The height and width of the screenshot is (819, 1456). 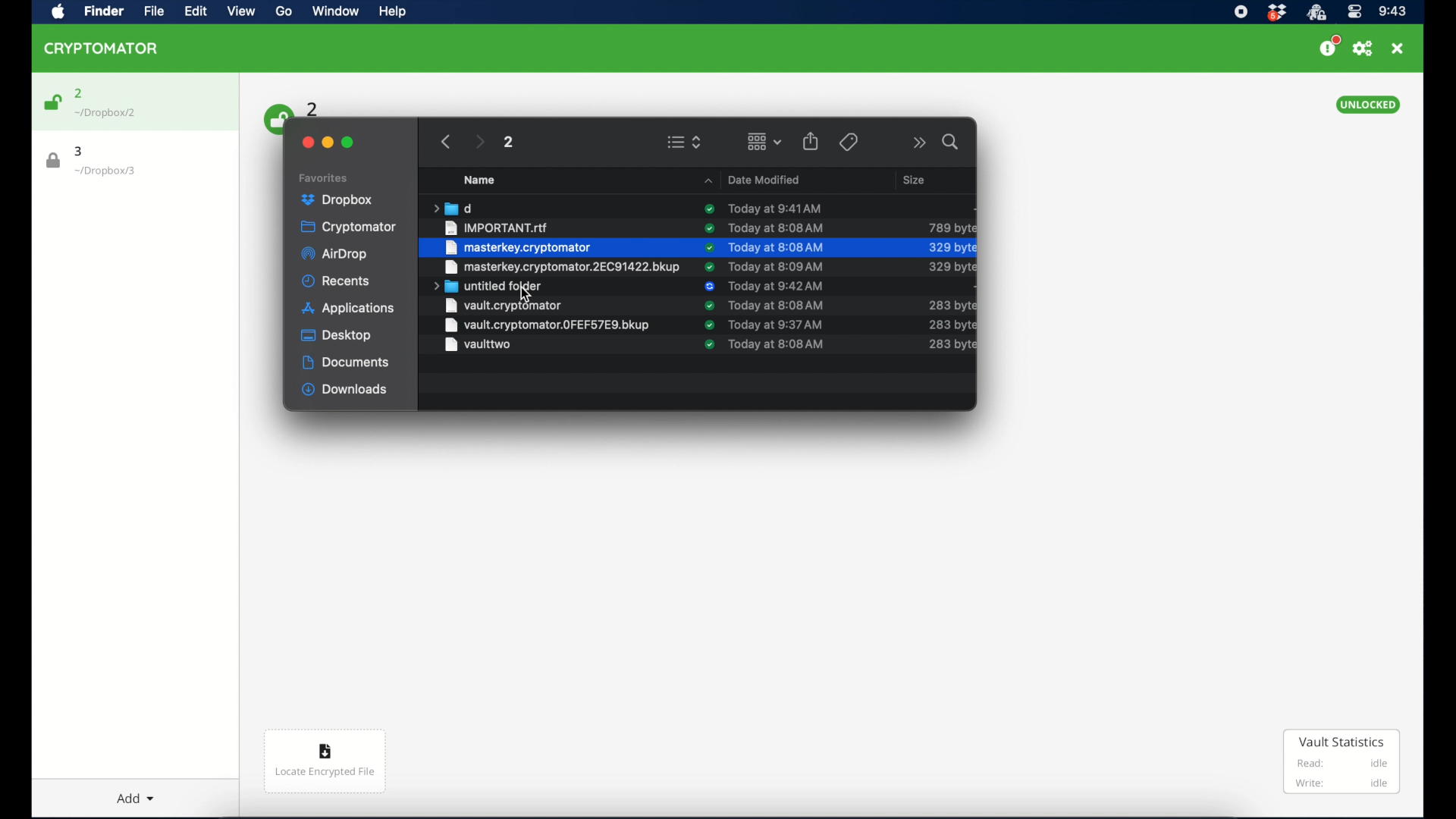 What do you see at coordinates (950, 287) in the screenshot?
I see `size` at bounding box center [950, 287].